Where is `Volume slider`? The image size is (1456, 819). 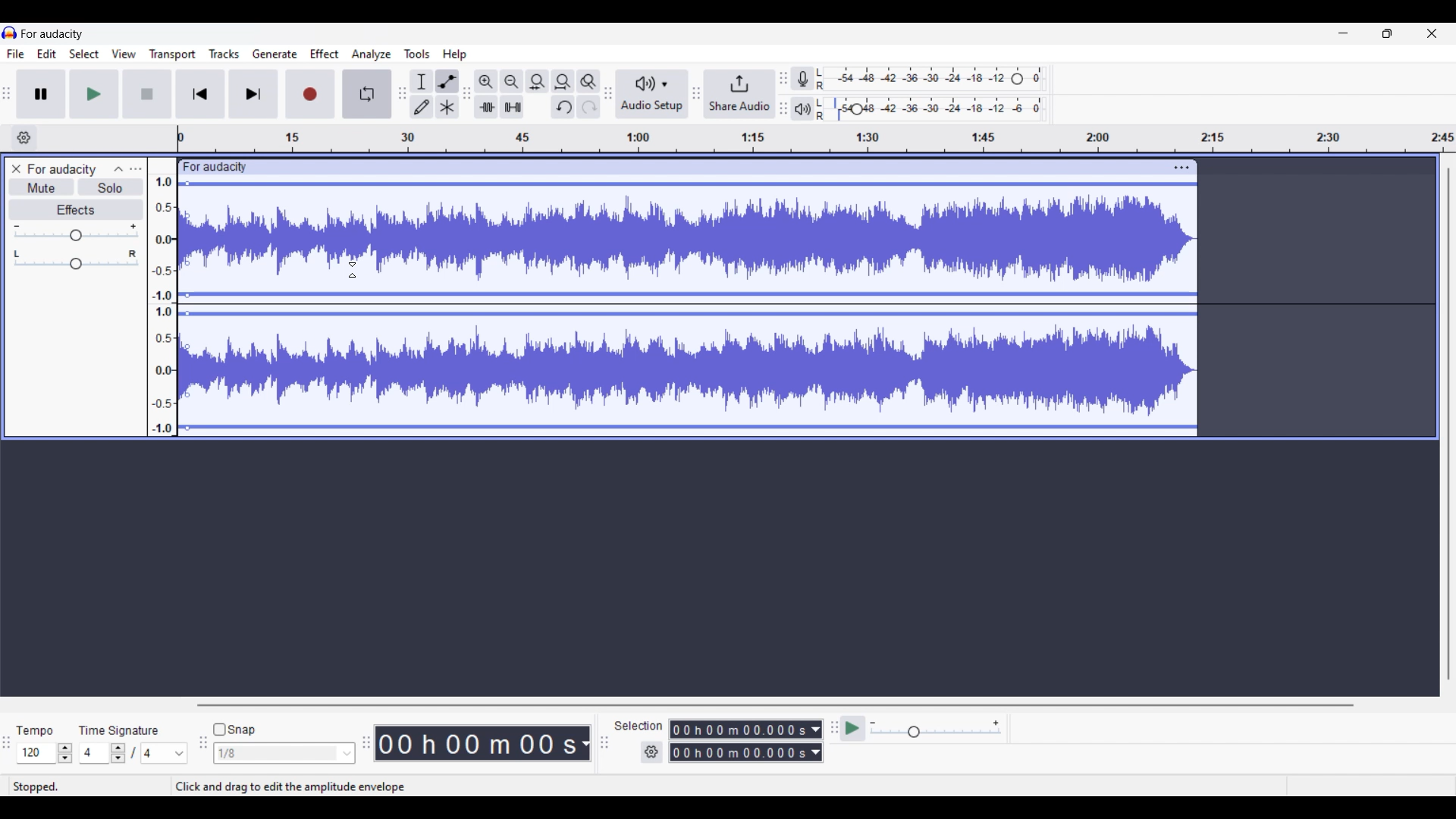 Volume slider is located at coordinates (77, 233).